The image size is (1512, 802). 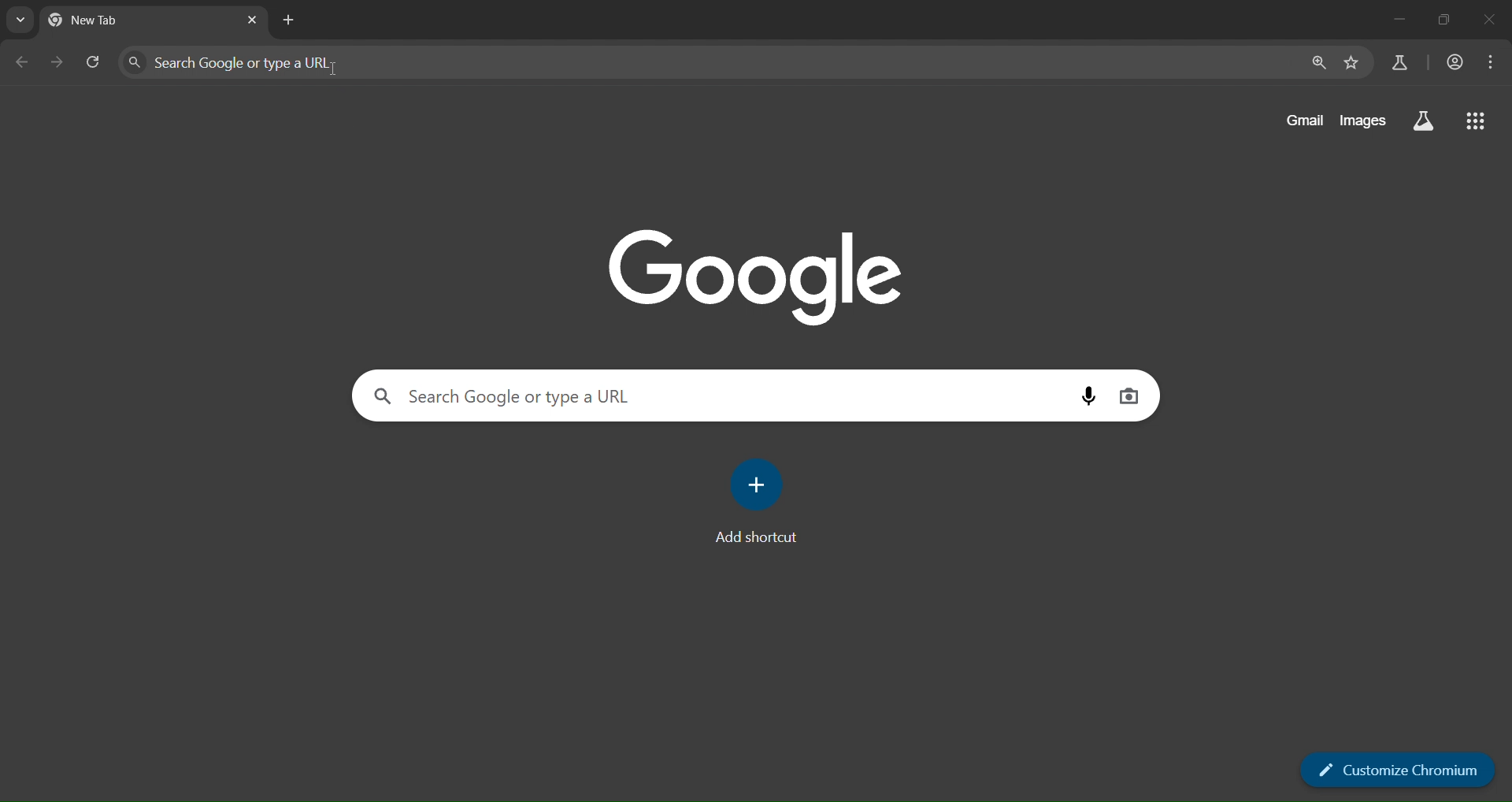 What do you see at coordinates (1492, 63) in the screenshot?
I see `menu` at bounding box center [1492, 63].